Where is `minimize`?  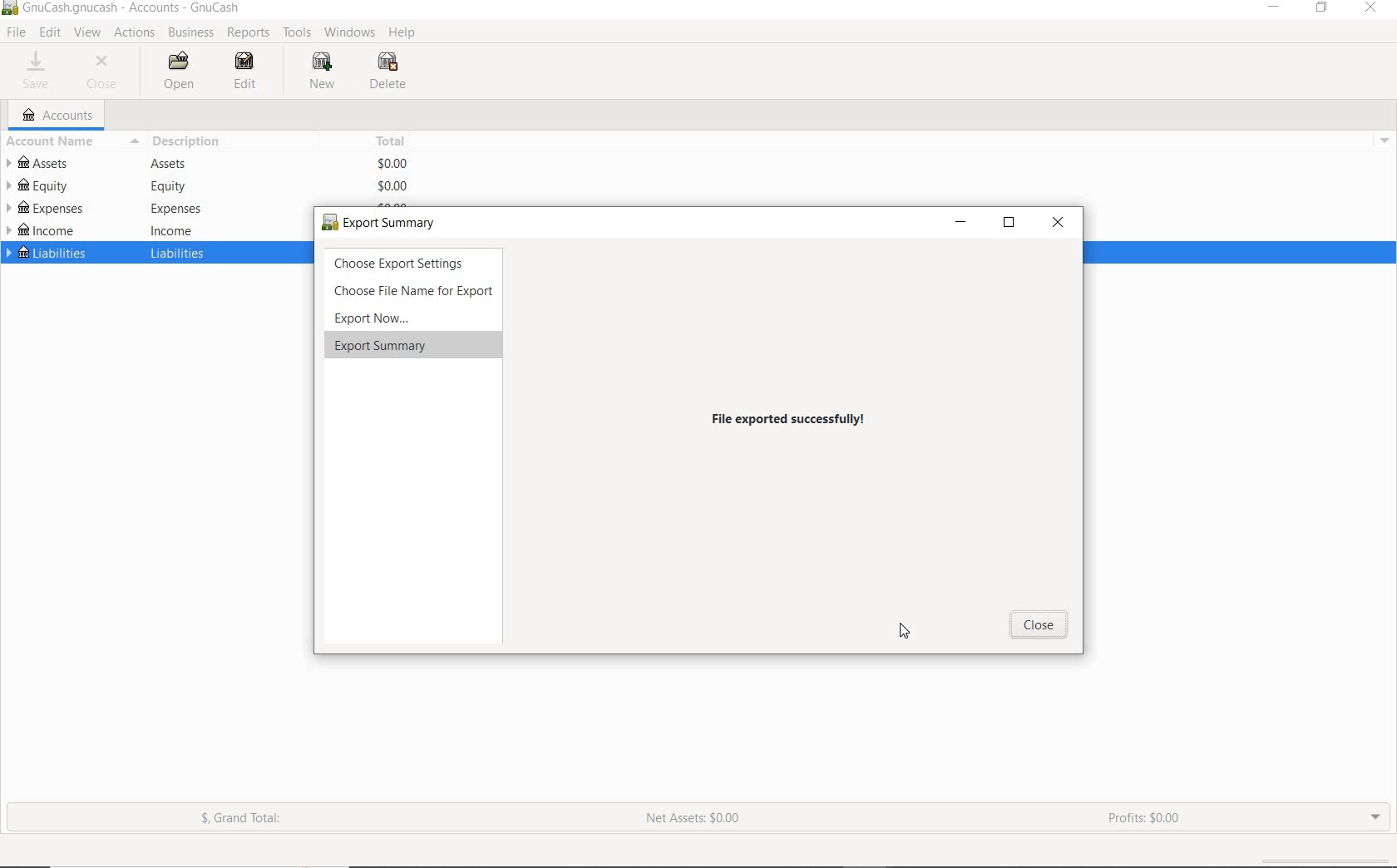
minimize is located at coordinates (960, 219).